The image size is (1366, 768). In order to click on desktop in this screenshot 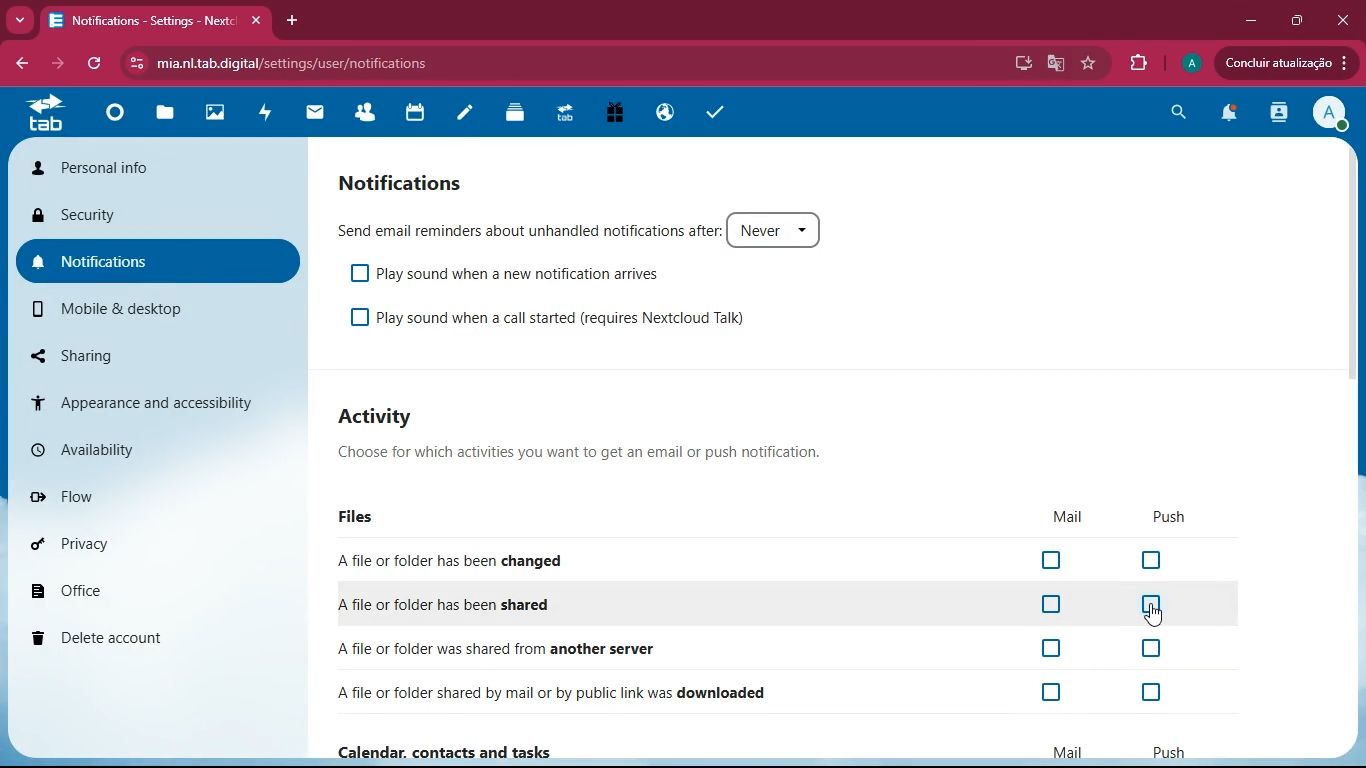, I will do `click(1021, 64)`.